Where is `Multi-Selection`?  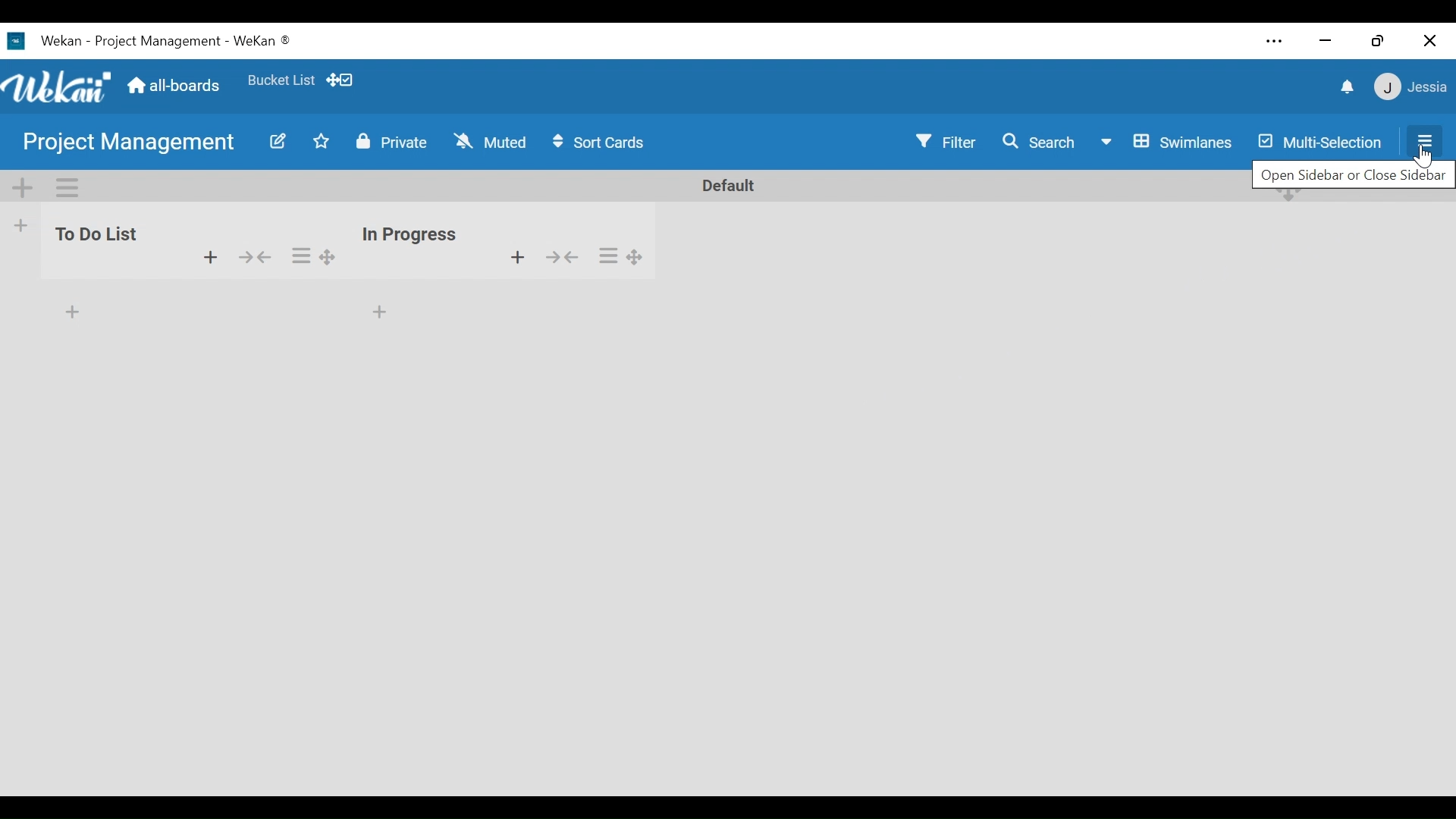 Multi-Selection is located at coordinates (1319, 141).